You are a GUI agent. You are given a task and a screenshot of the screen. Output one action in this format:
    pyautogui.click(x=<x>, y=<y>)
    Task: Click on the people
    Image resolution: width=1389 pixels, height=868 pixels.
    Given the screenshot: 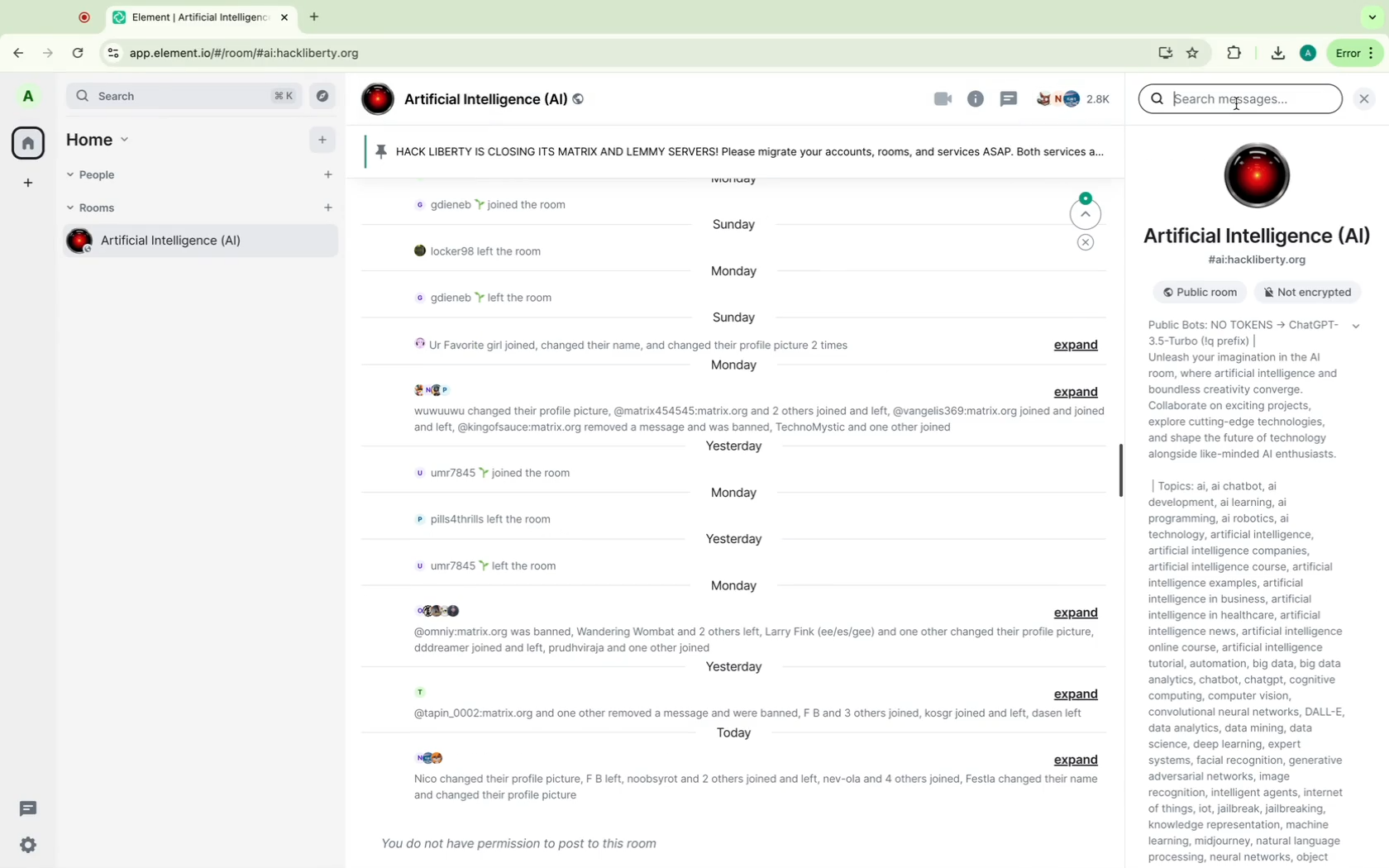 What is the action you would take?
    pyautogui.click(x=1075, y=100)
    